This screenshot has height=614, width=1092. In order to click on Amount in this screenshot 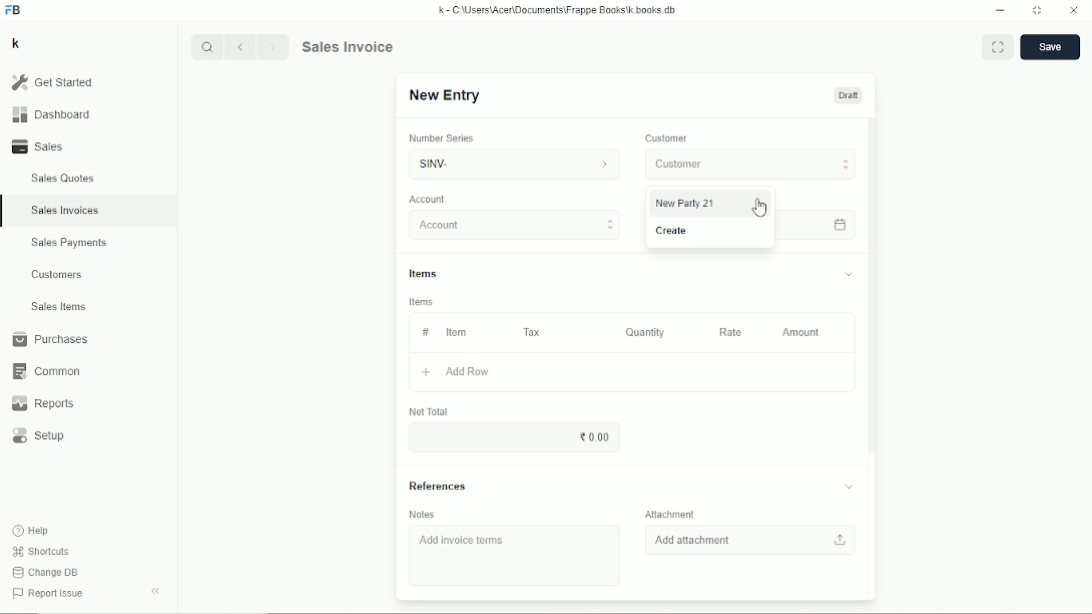, I will do `click(802, 332)`.